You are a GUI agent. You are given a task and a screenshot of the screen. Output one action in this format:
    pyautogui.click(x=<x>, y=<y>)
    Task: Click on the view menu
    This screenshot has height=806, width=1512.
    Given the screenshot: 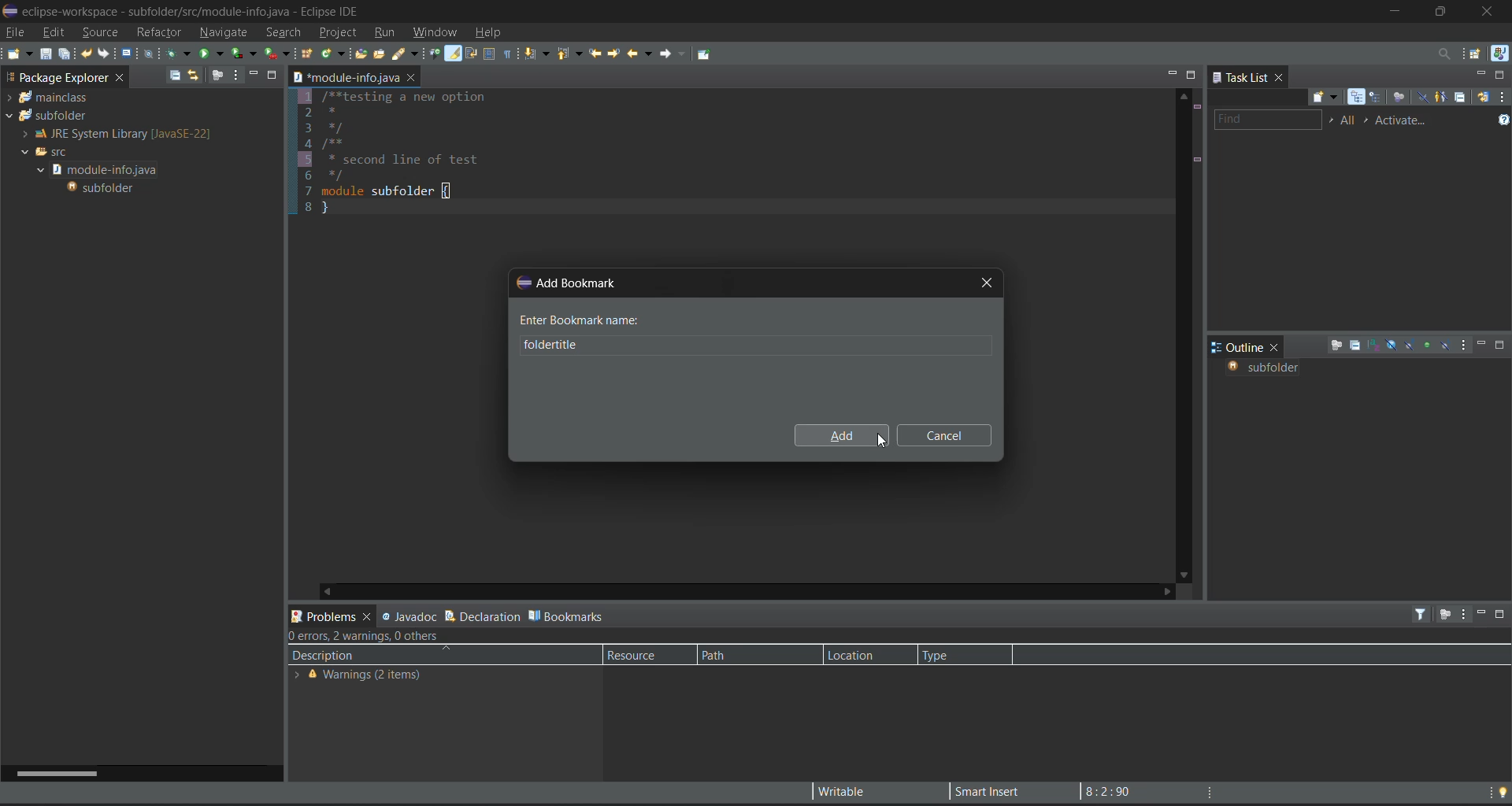 What is the action you would take?
    pyautogui.click(x=1465, y=346)
    